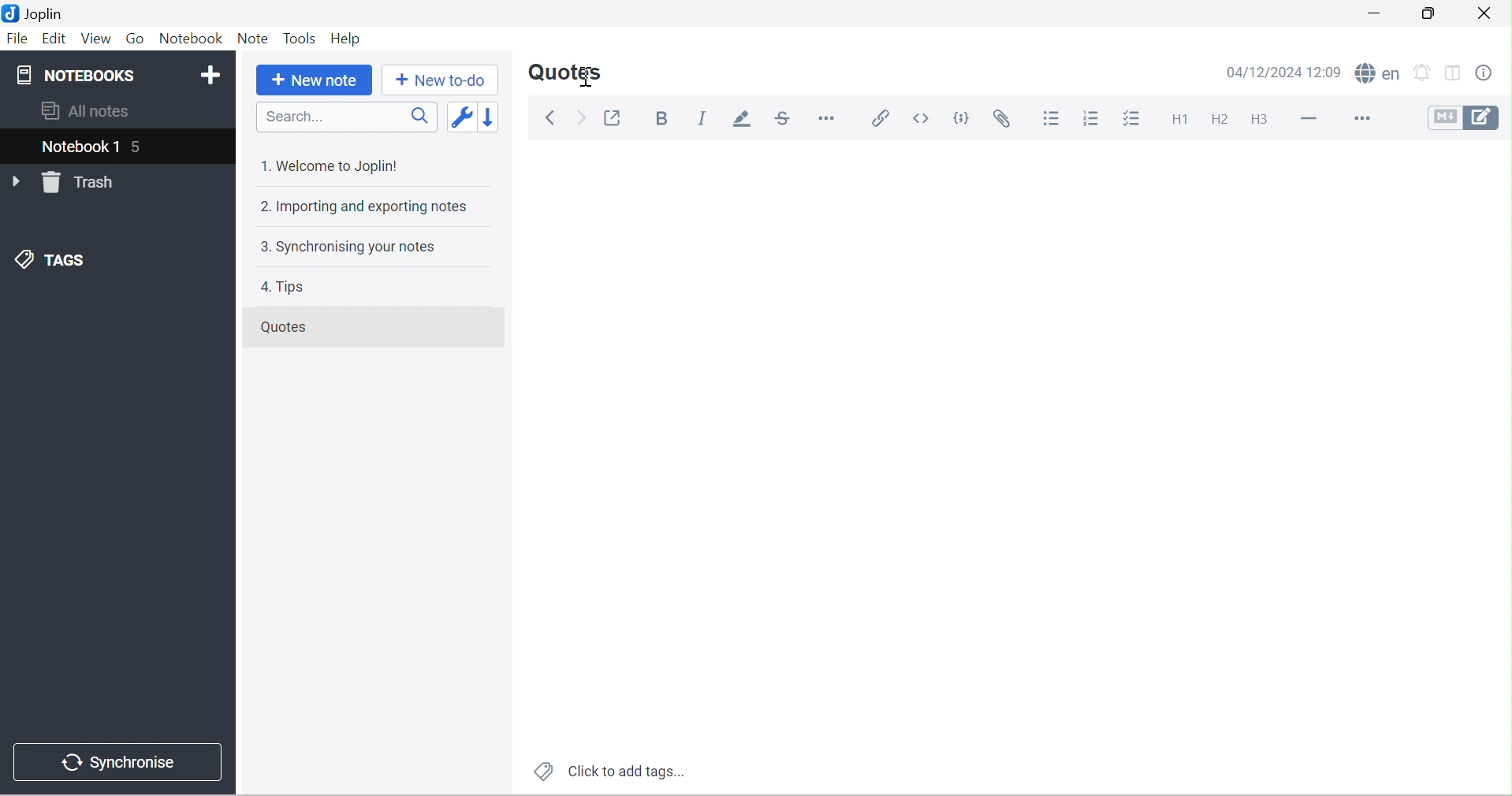 This screenshot has height=796, width=1512. What do you see at coordinates (553, 117) in the screenshot?
I see `Back` at bounding box center [553, 117].